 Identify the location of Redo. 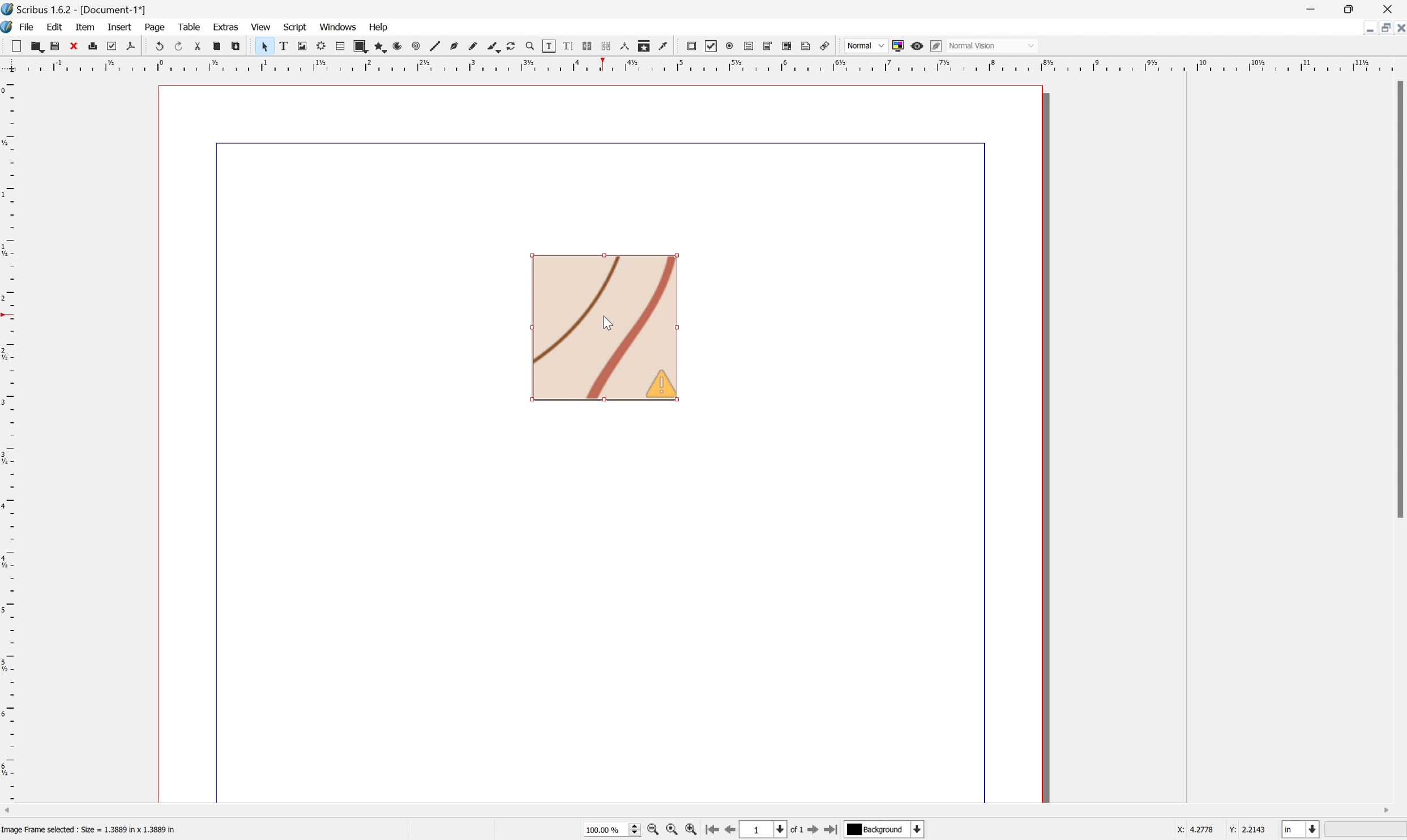
(177, 45).